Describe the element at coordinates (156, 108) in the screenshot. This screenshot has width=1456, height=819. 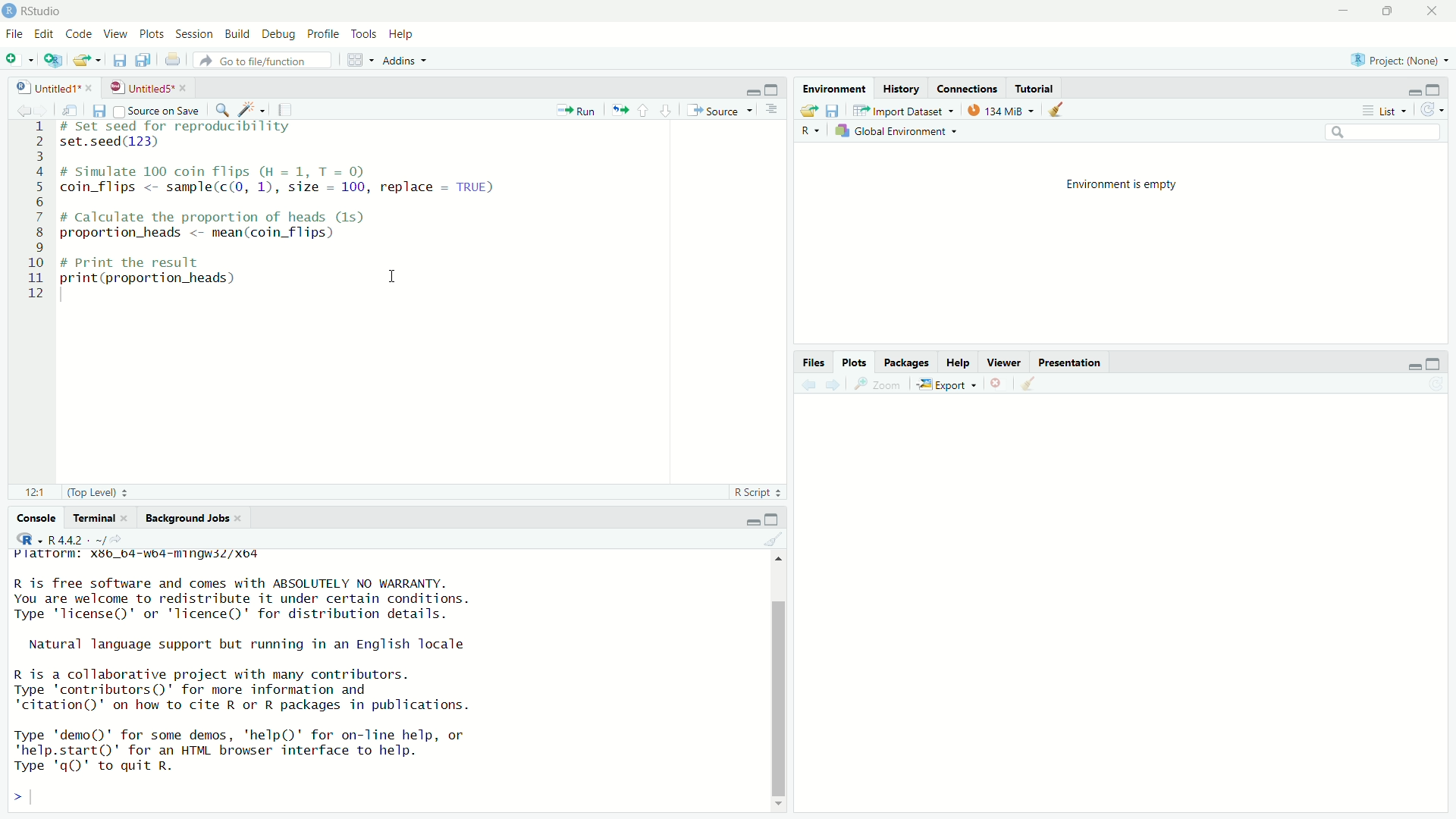
I see `source on save` at that location.